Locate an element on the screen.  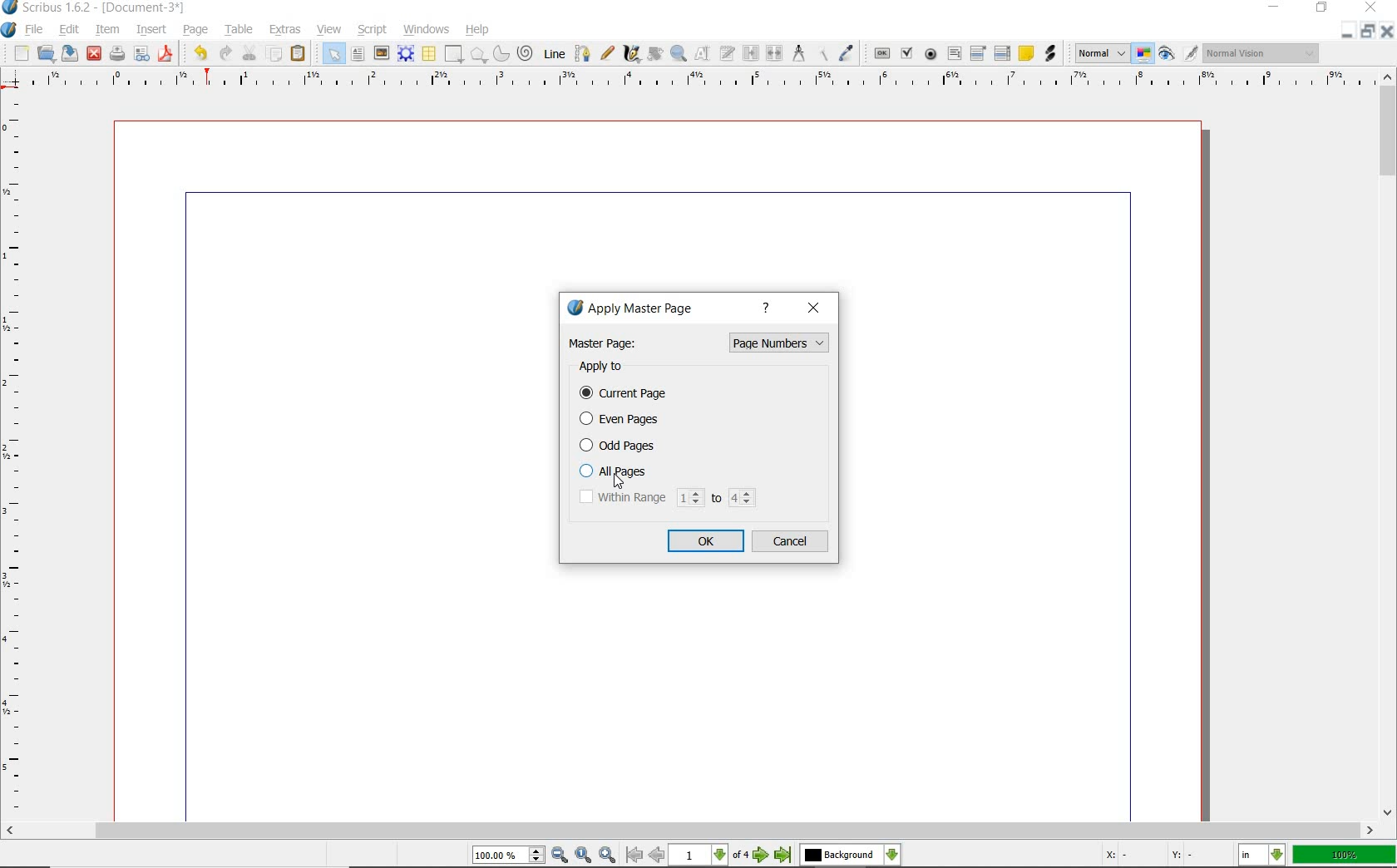
close is located at coordinates (816, 308).